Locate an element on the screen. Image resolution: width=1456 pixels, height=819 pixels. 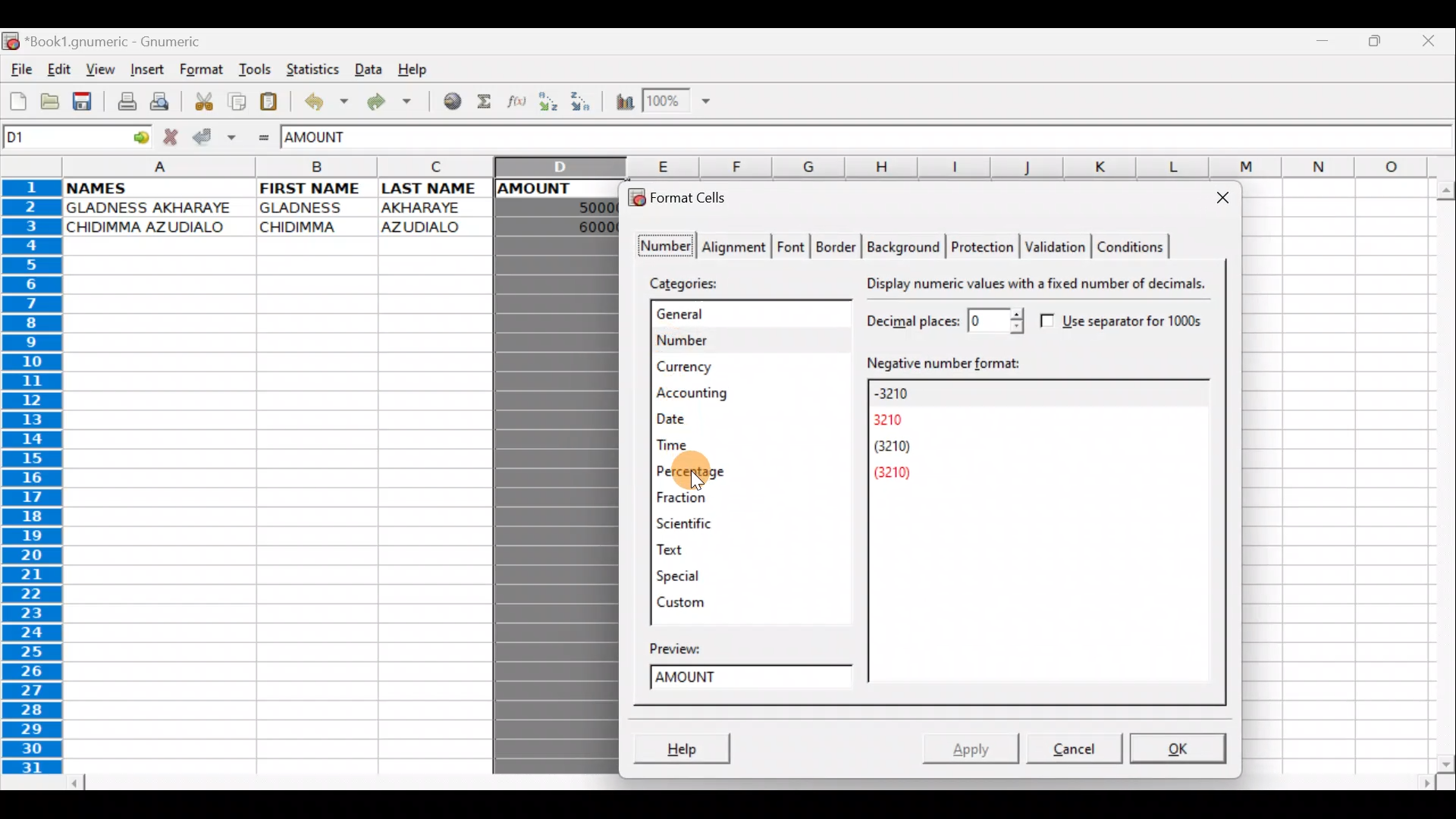
Formula bar is located at coordinates (931, 140).